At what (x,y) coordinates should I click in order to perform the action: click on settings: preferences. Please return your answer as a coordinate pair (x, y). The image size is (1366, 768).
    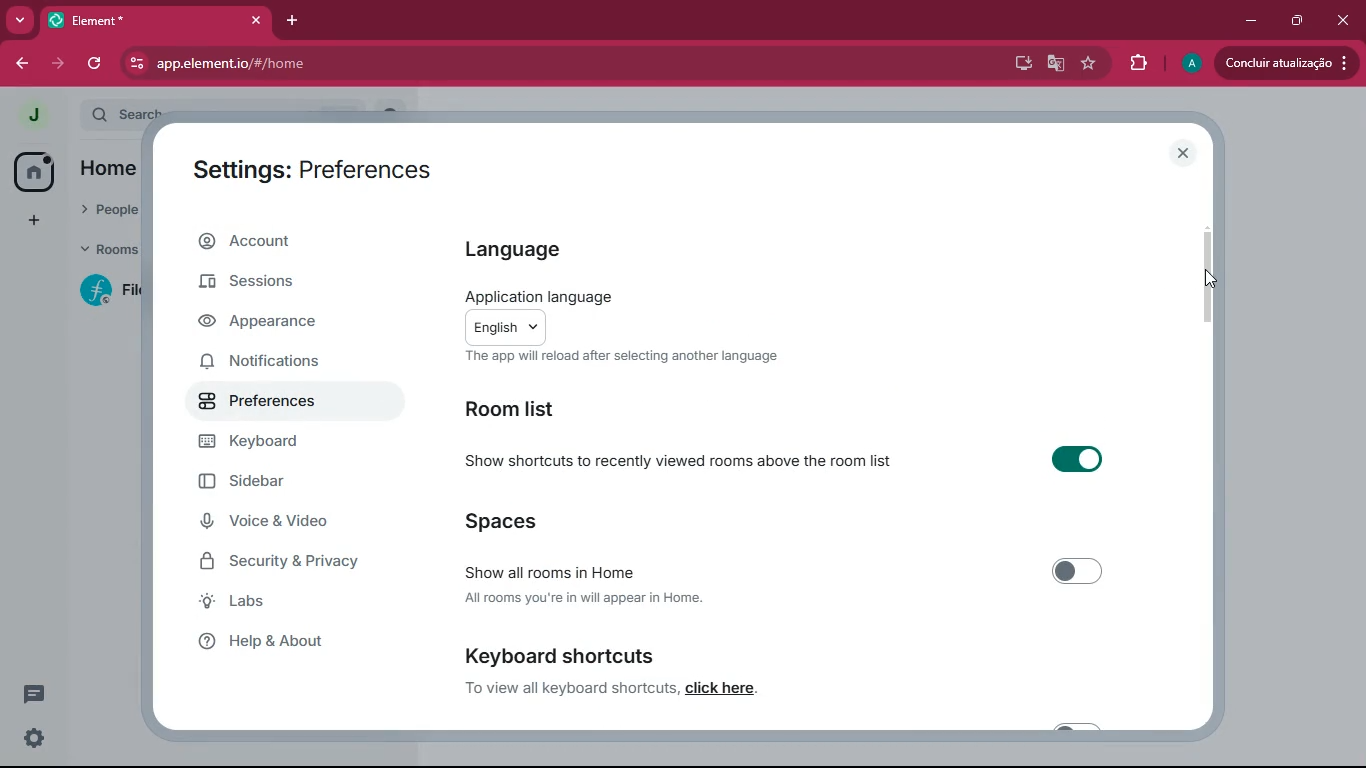
    Looking at the image, I should click on (318, 167).